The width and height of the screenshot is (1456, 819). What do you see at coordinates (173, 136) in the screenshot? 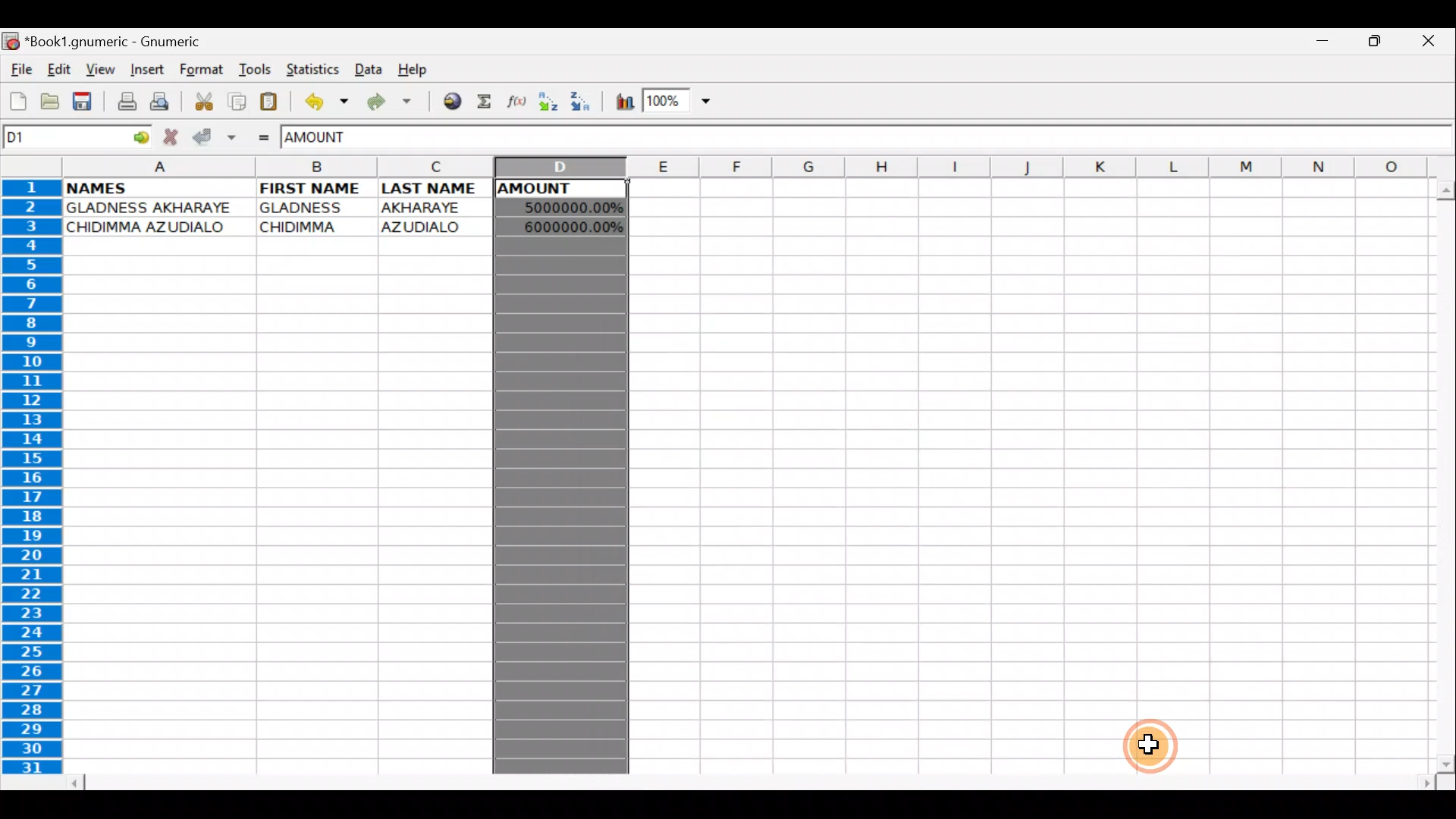
I see `Cancel change` at bounding box center [173, 136].